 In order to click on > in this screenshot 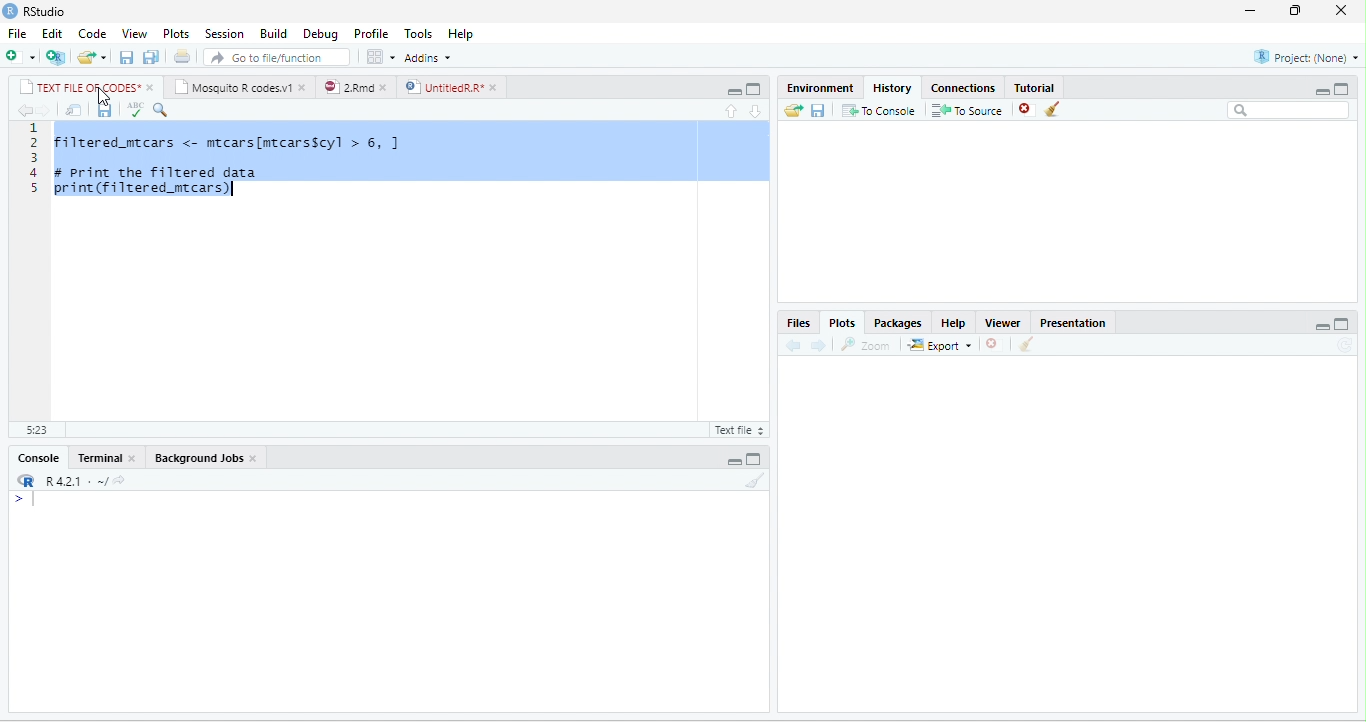, I will do `click(30, 499)`.